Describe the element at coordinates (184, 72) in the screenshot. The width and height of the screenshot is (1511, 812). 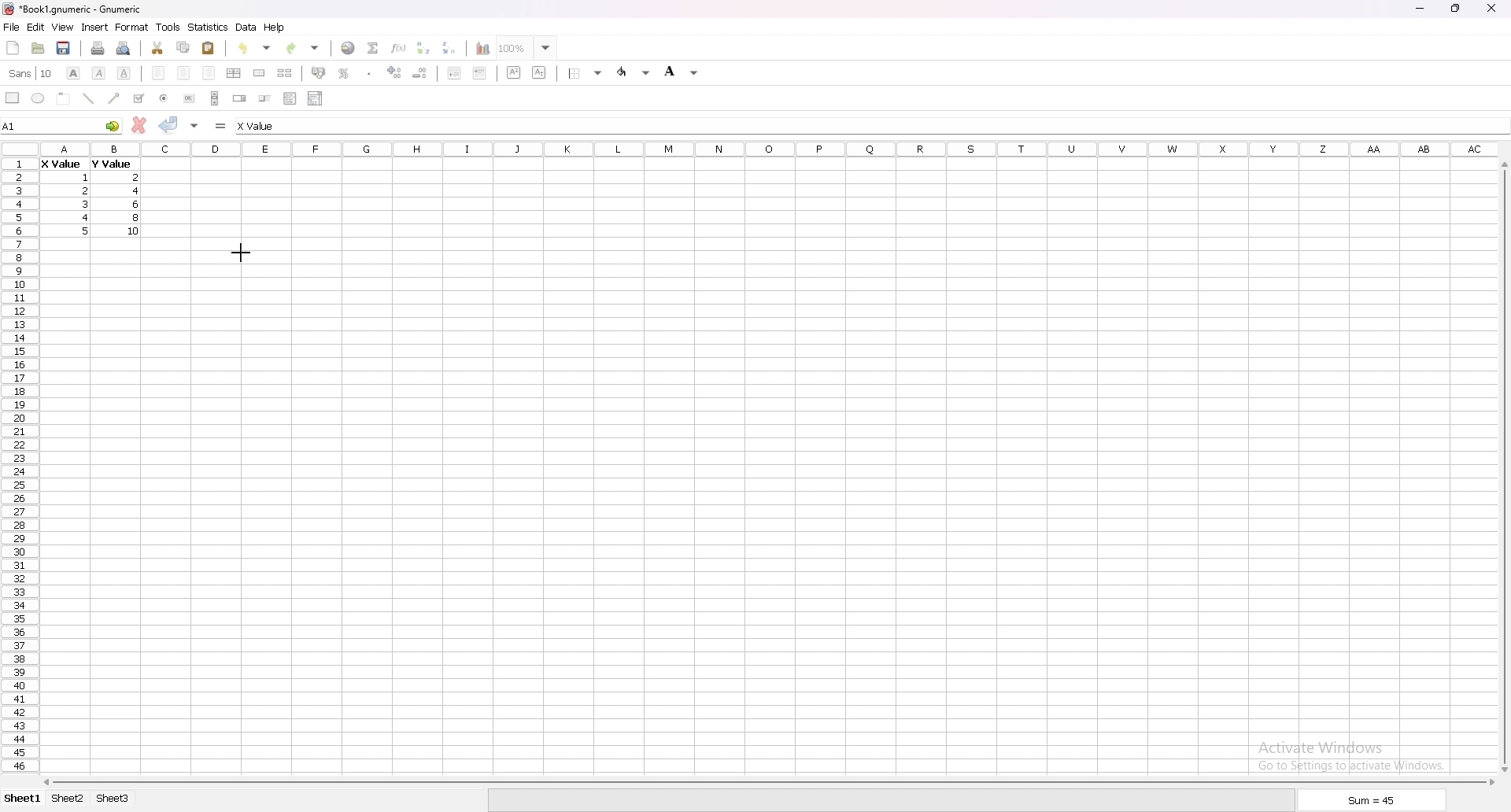
I see `centre` at that location.